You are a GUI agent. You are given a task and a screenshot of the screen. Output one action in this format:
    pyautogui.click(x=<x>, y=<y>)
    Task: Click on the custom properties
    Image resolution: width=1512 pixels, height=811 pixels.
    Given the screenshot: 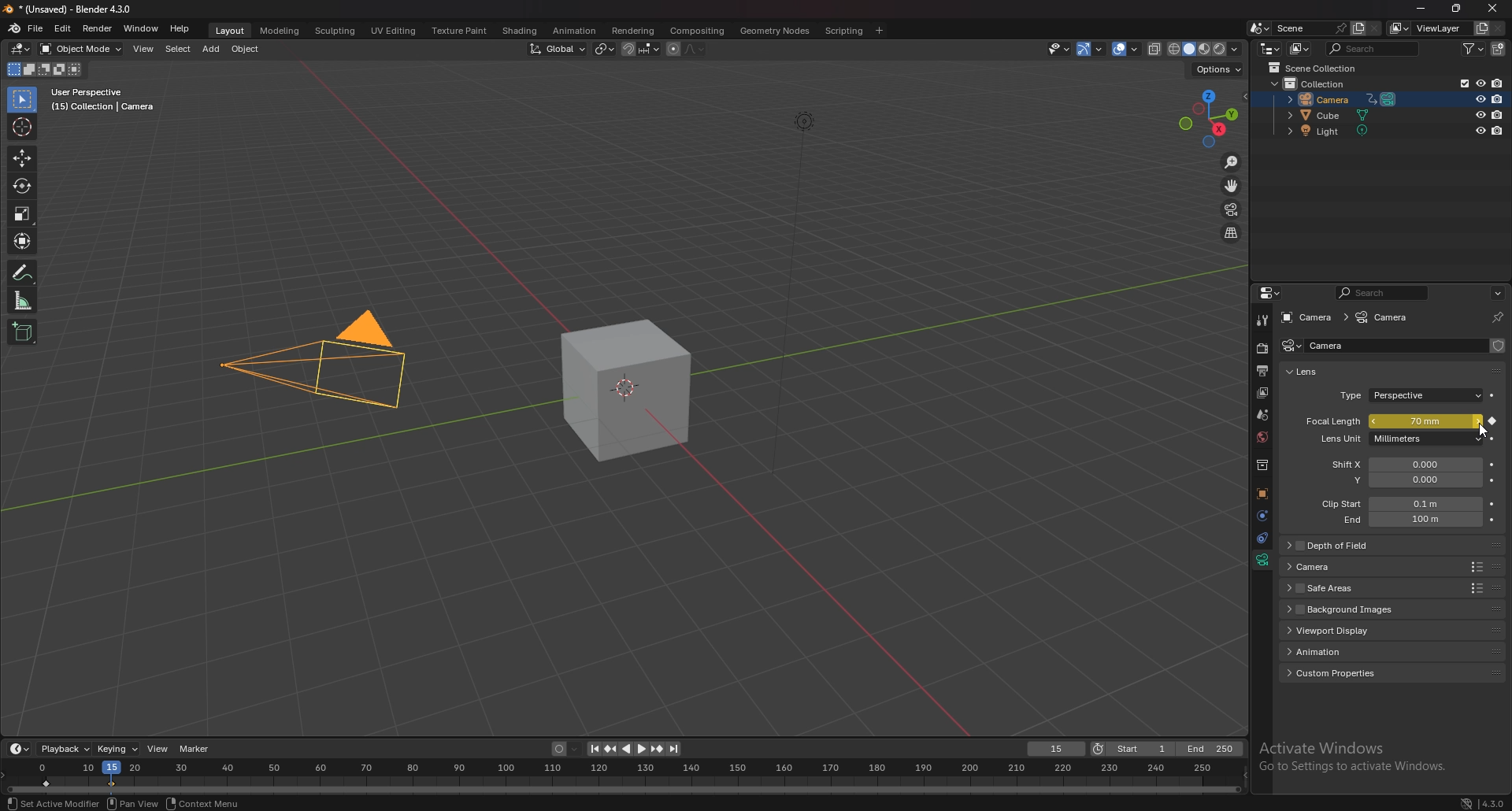 What is the action you would take?
    pyautogui.click(x=1343, y=672)
    